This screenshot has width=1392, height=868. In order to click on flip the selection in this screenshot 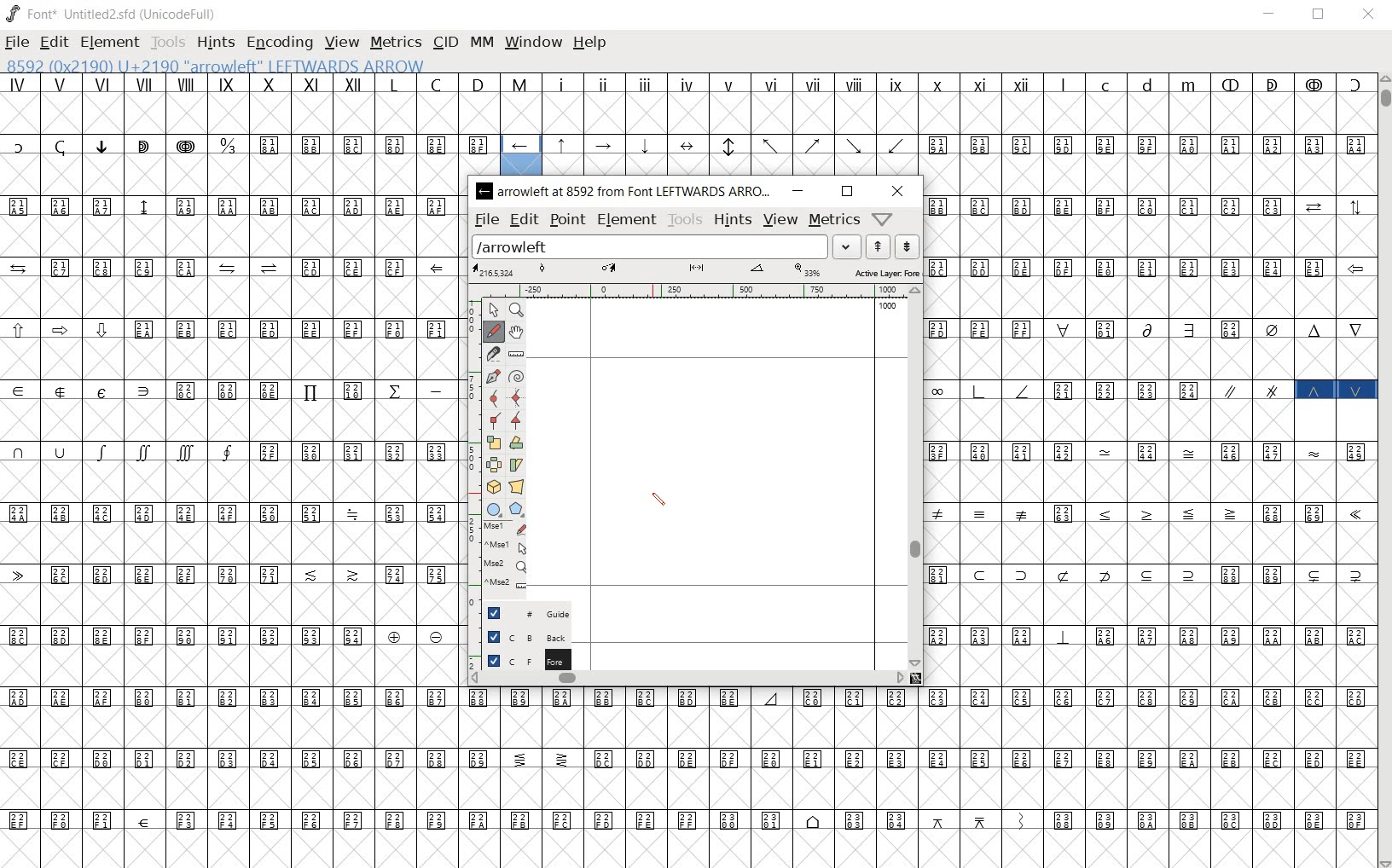, I will do `click(493, 465)`.